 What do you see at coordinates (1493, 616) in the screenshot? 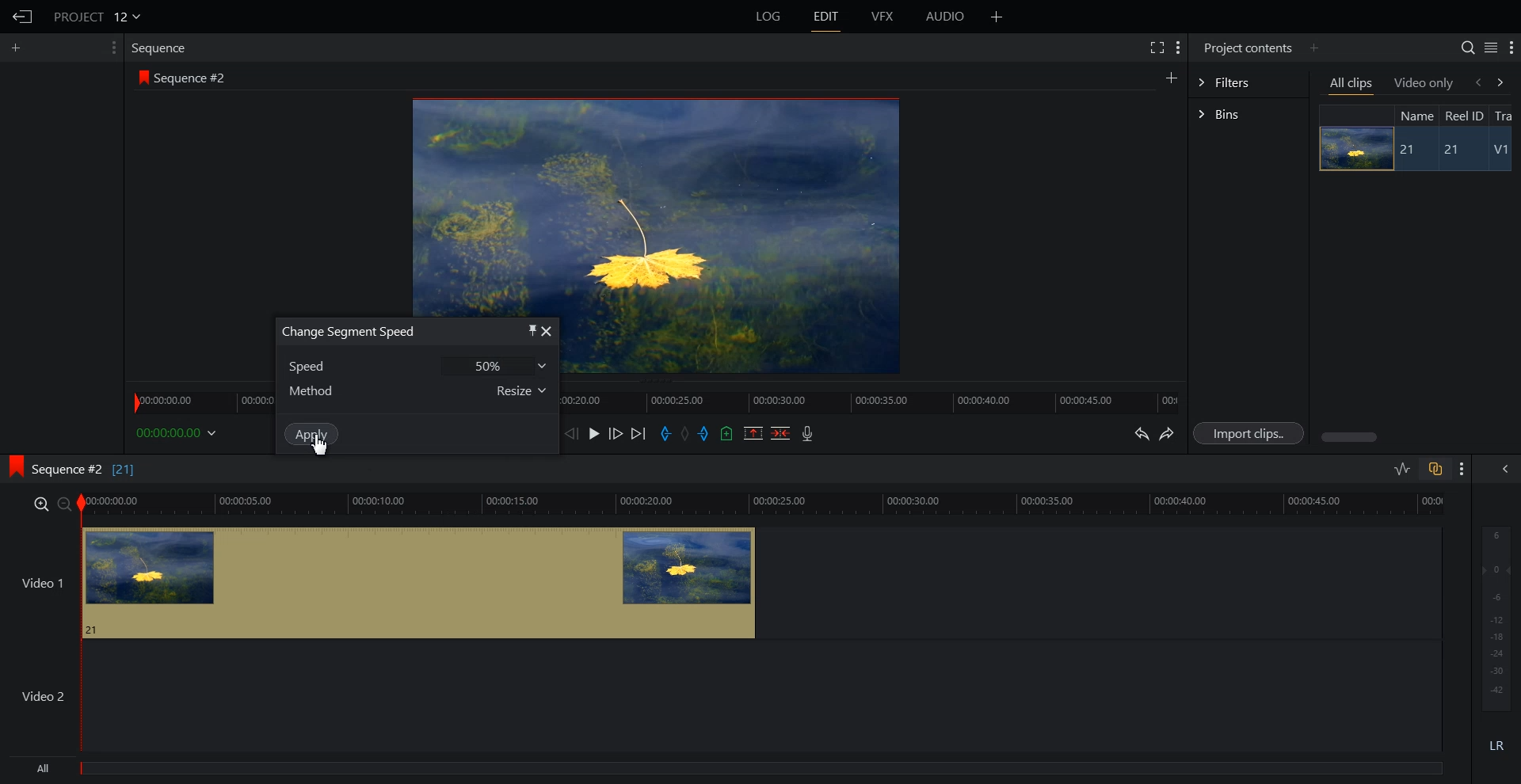
I see `Audio output level` at bounding box center [1493, 616].